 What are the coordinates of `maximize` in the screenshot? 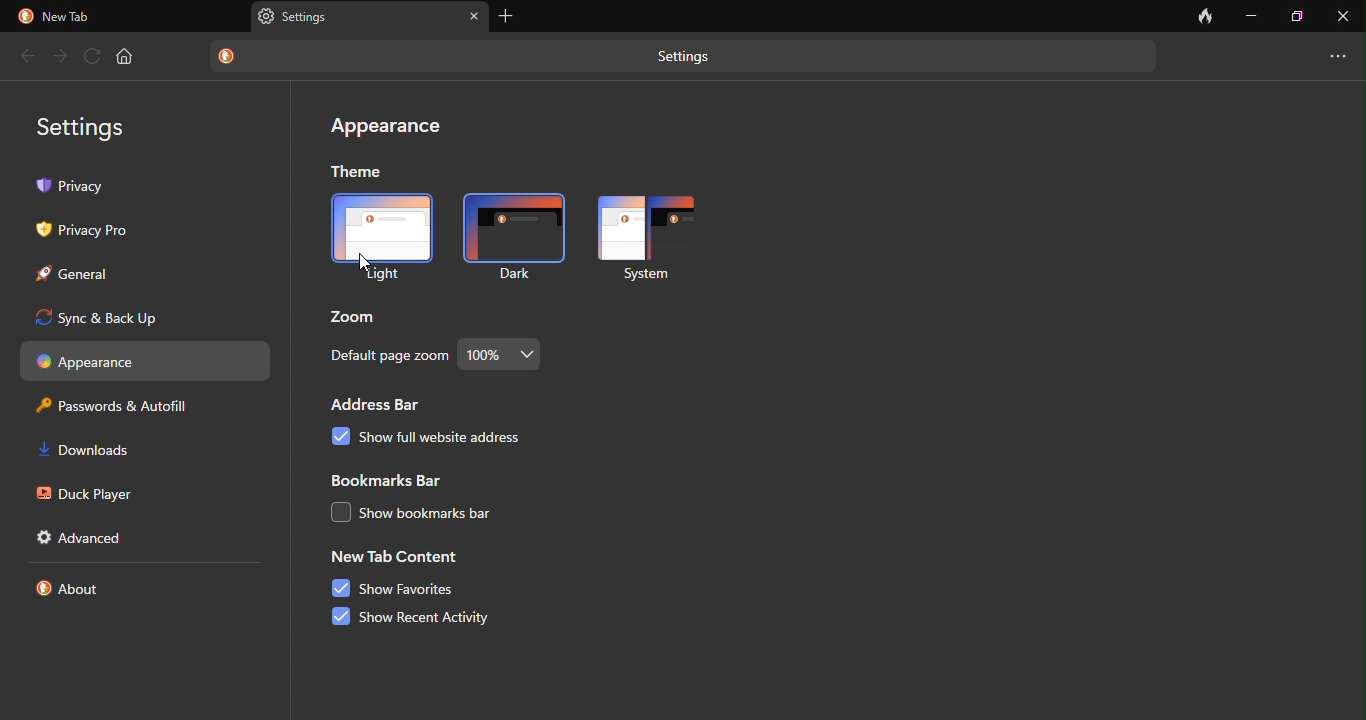 It's located at (1298, 15).